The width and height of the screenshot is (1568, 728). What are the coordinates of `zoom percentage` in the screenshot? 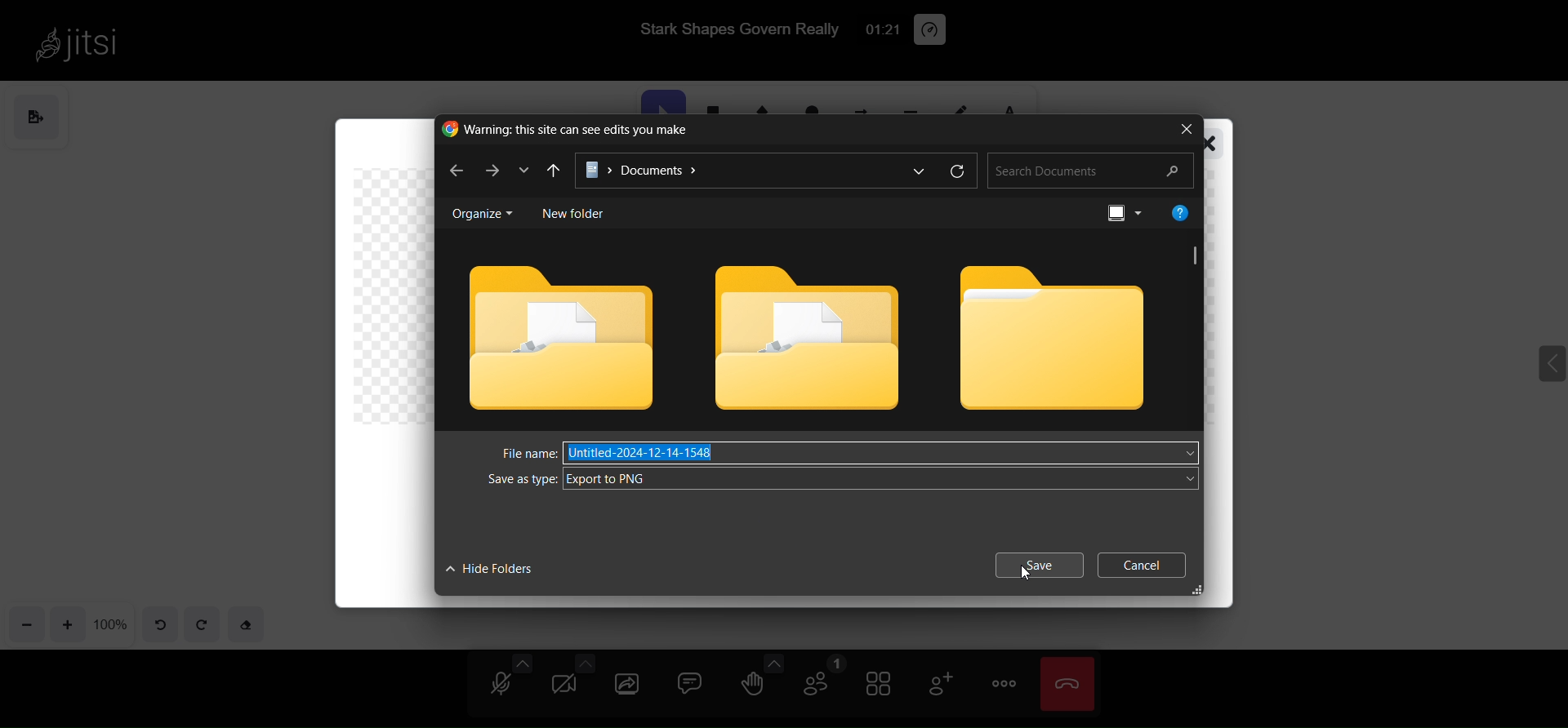 It's located at (113, 623).